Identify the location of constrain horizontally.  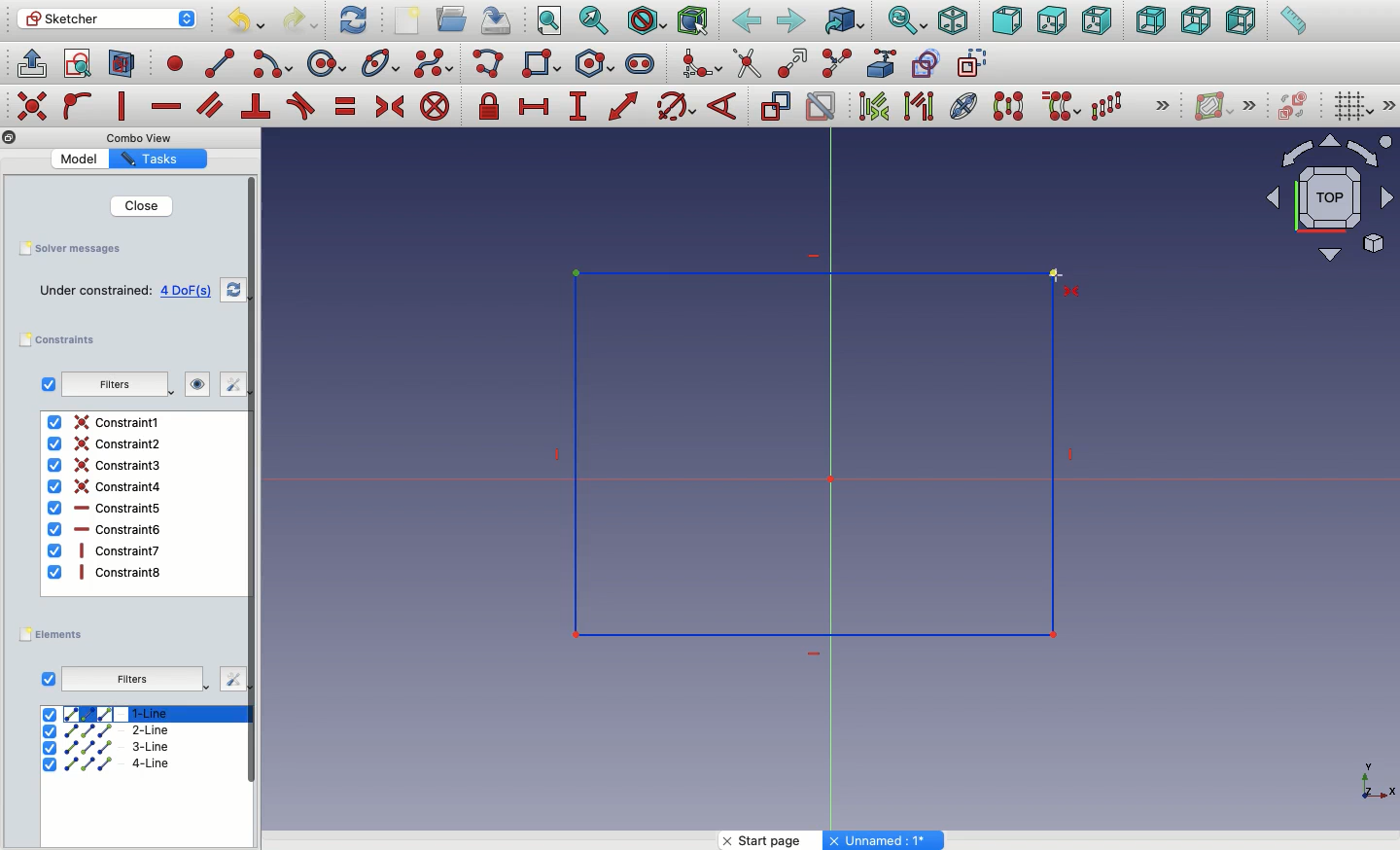
(168, 101).